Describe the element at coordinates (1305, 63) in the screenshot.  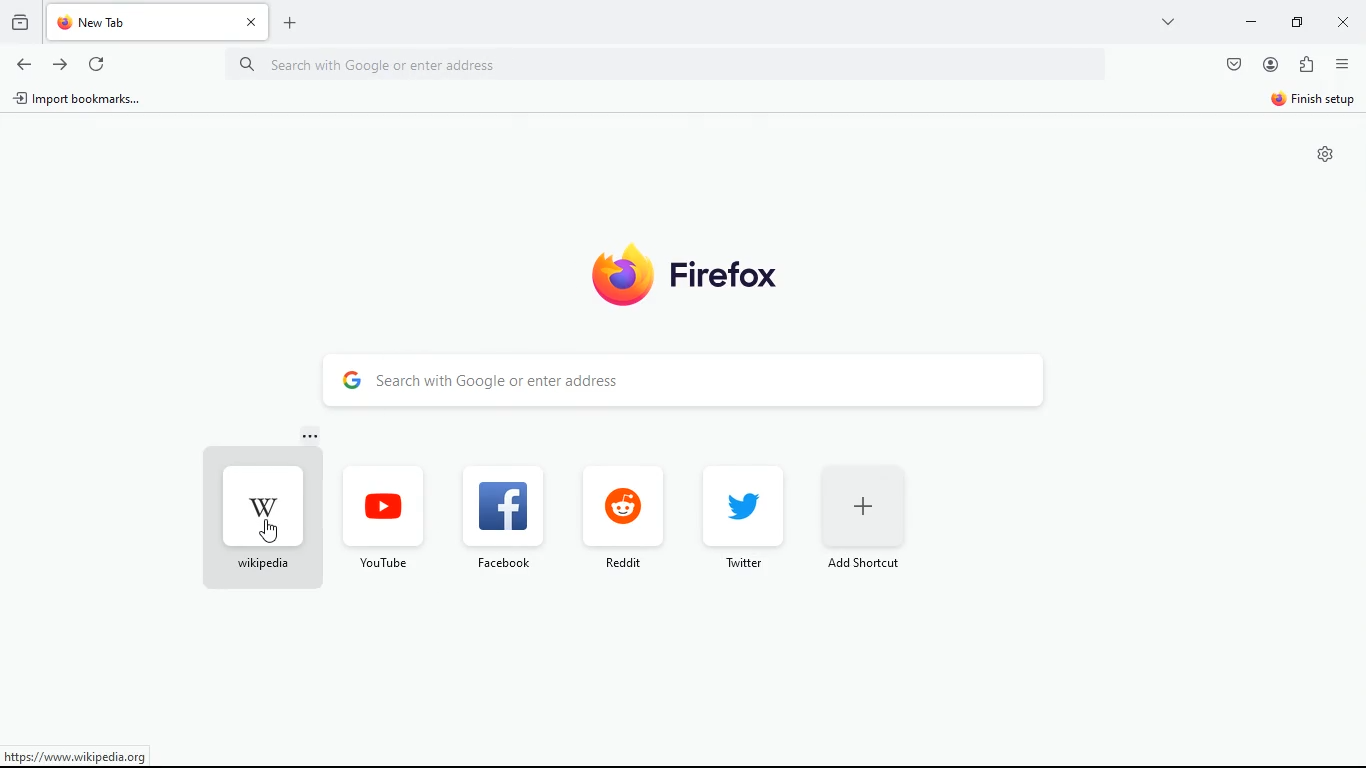
I see `extensions` at that location.